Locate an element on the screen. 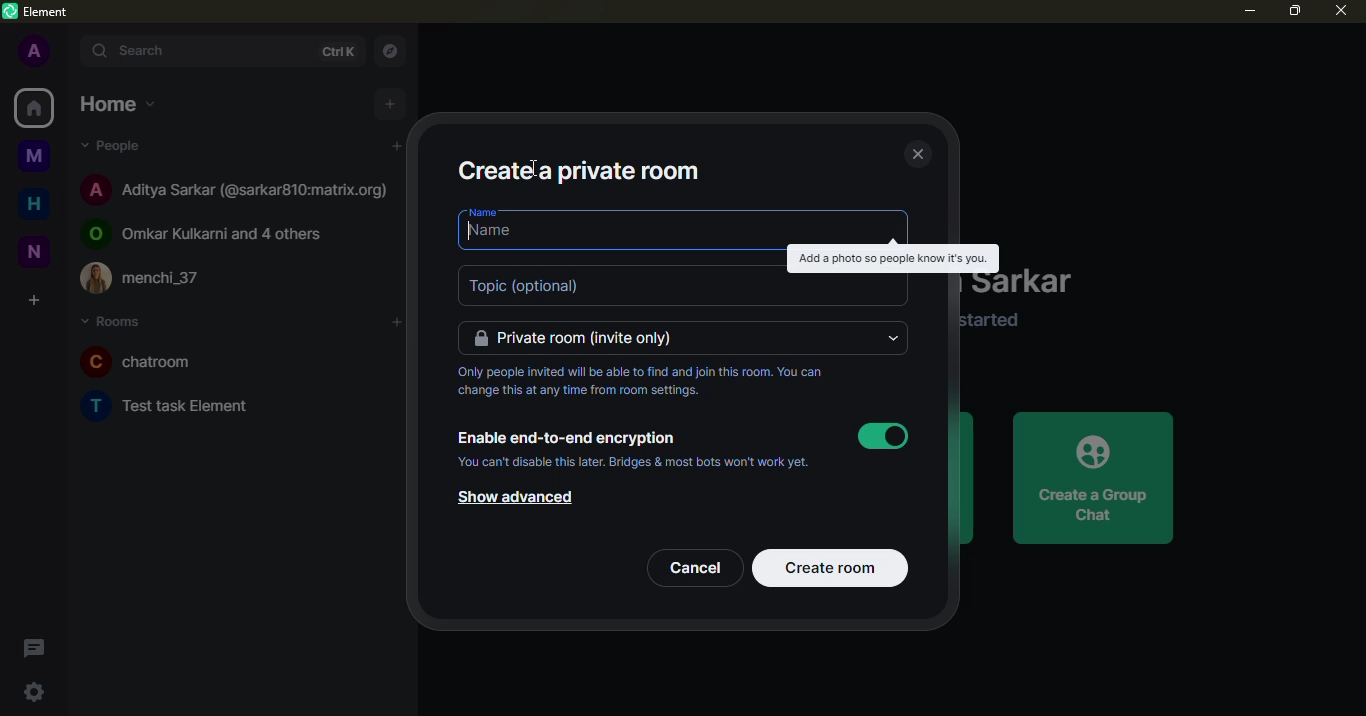 Image resolution: width=1366 pixels, height=716 pixels. name is located at coordinates (506, 232).